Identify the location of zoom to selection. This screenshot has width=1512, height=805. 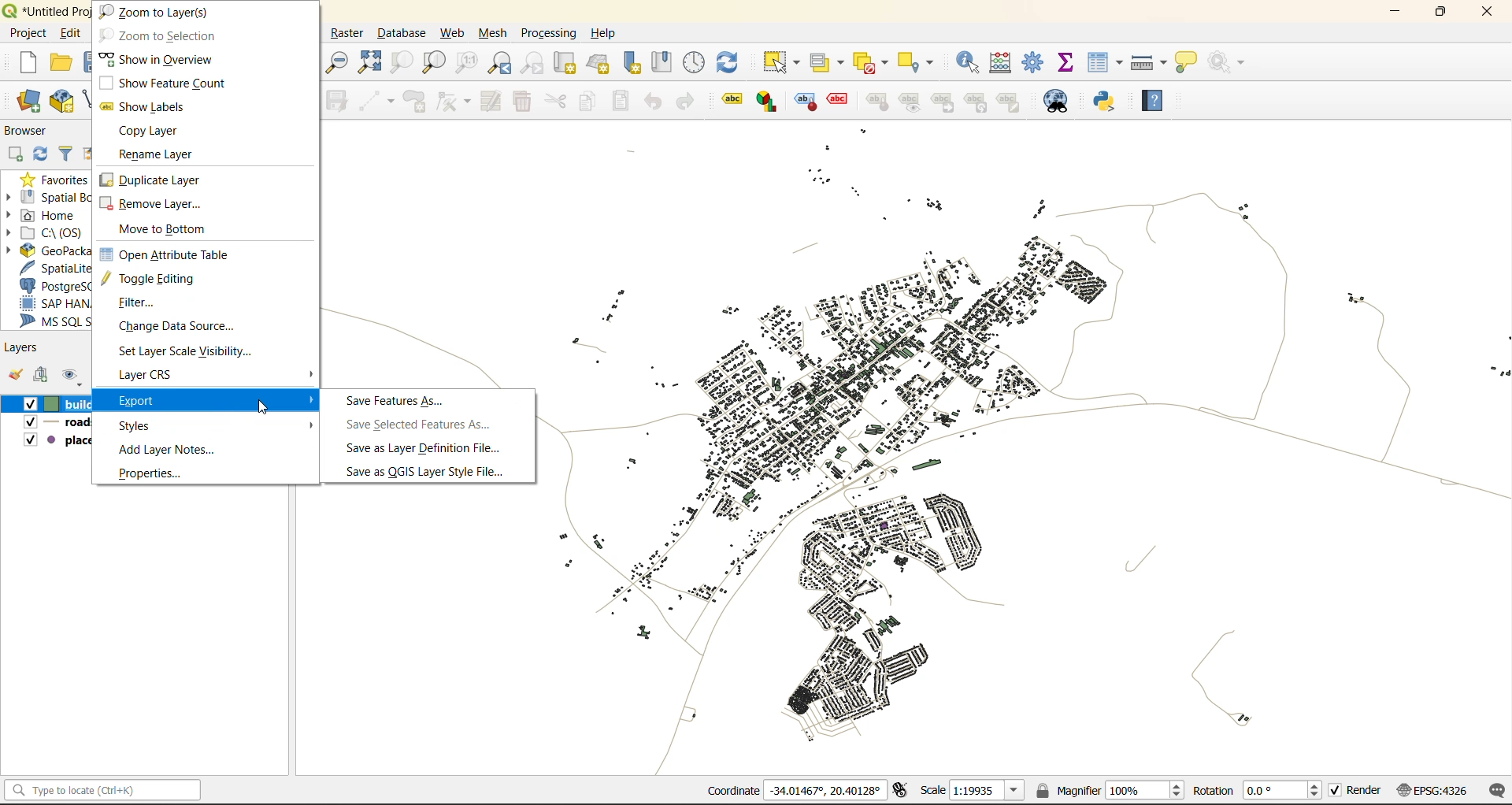
(174, 35).